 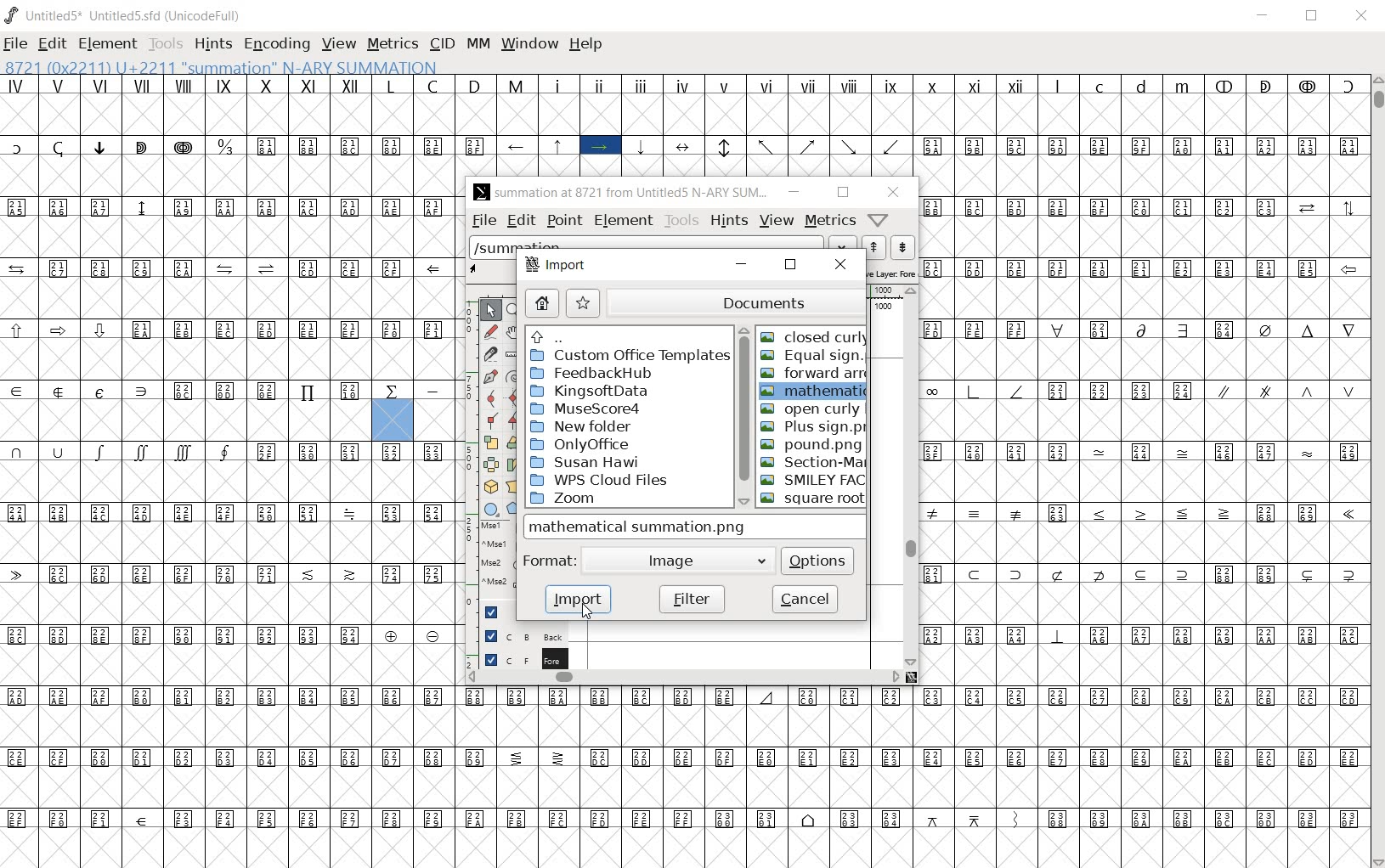 I want to click on custom office templates, so click(x=630, y=356).